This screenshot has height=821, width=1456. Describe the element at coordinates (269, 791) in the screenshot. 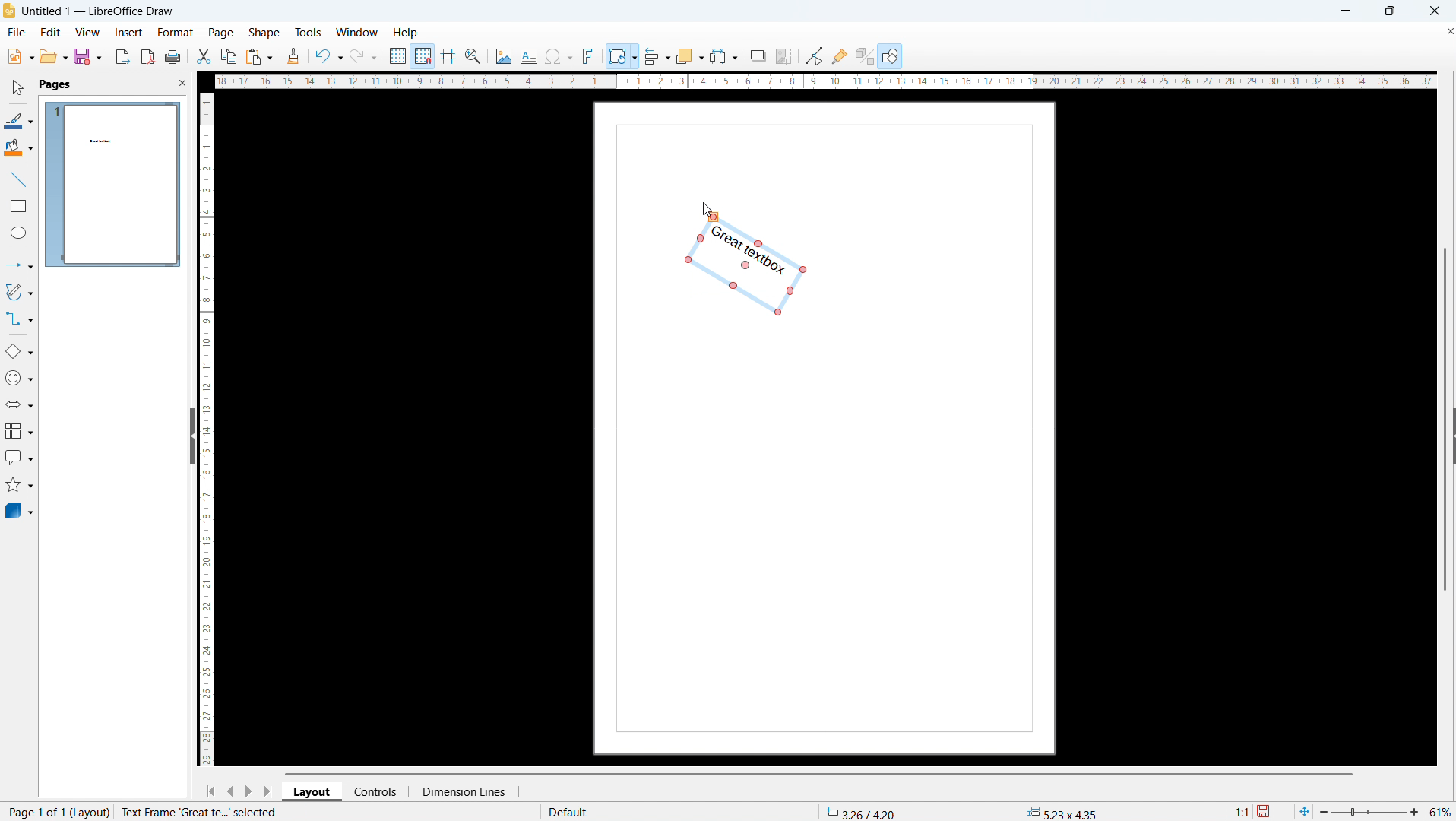

I see `Go to last page` at that location.